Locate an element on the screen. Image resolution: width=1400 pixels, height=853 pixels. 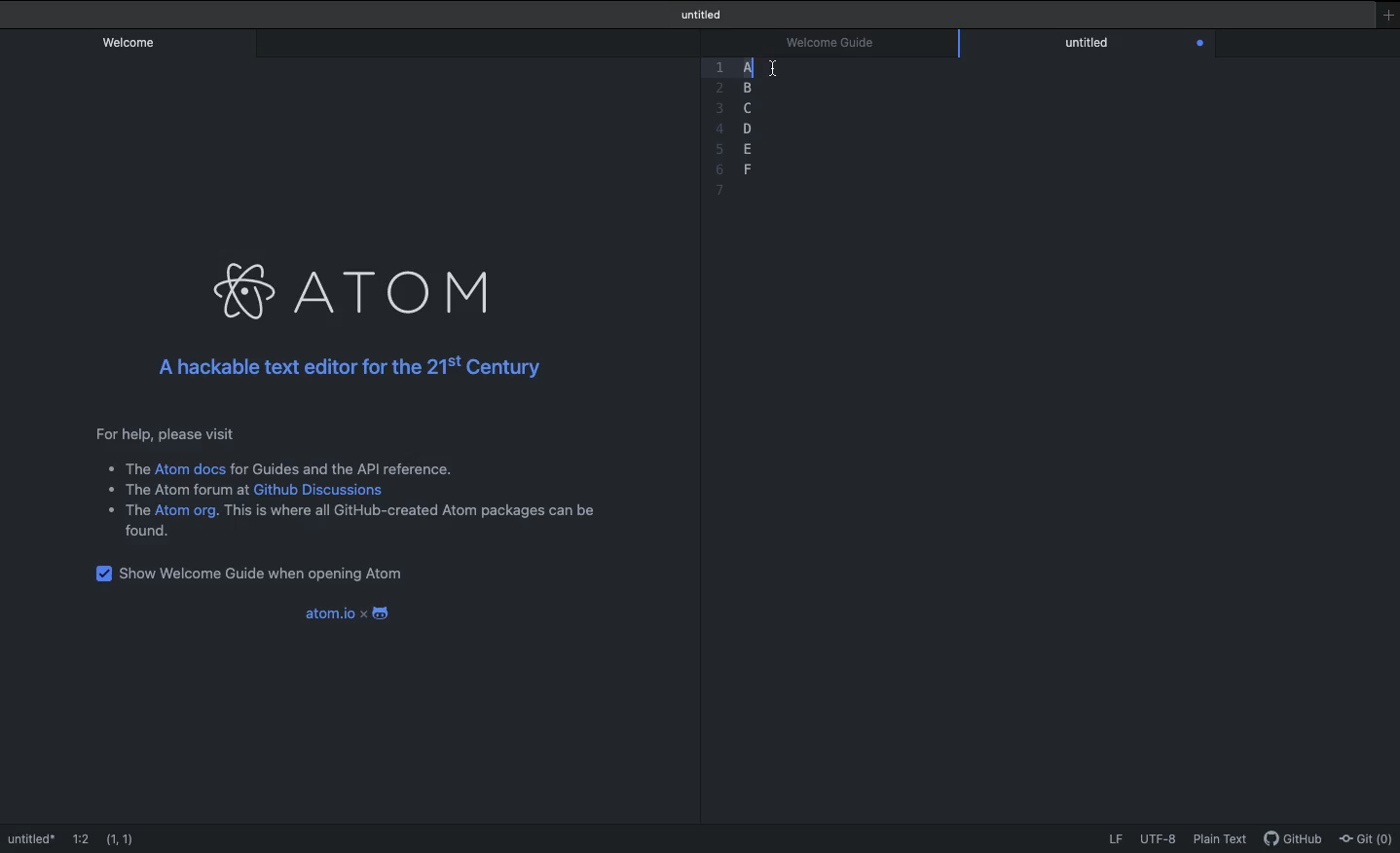
d is located at coordinates (751, 129).